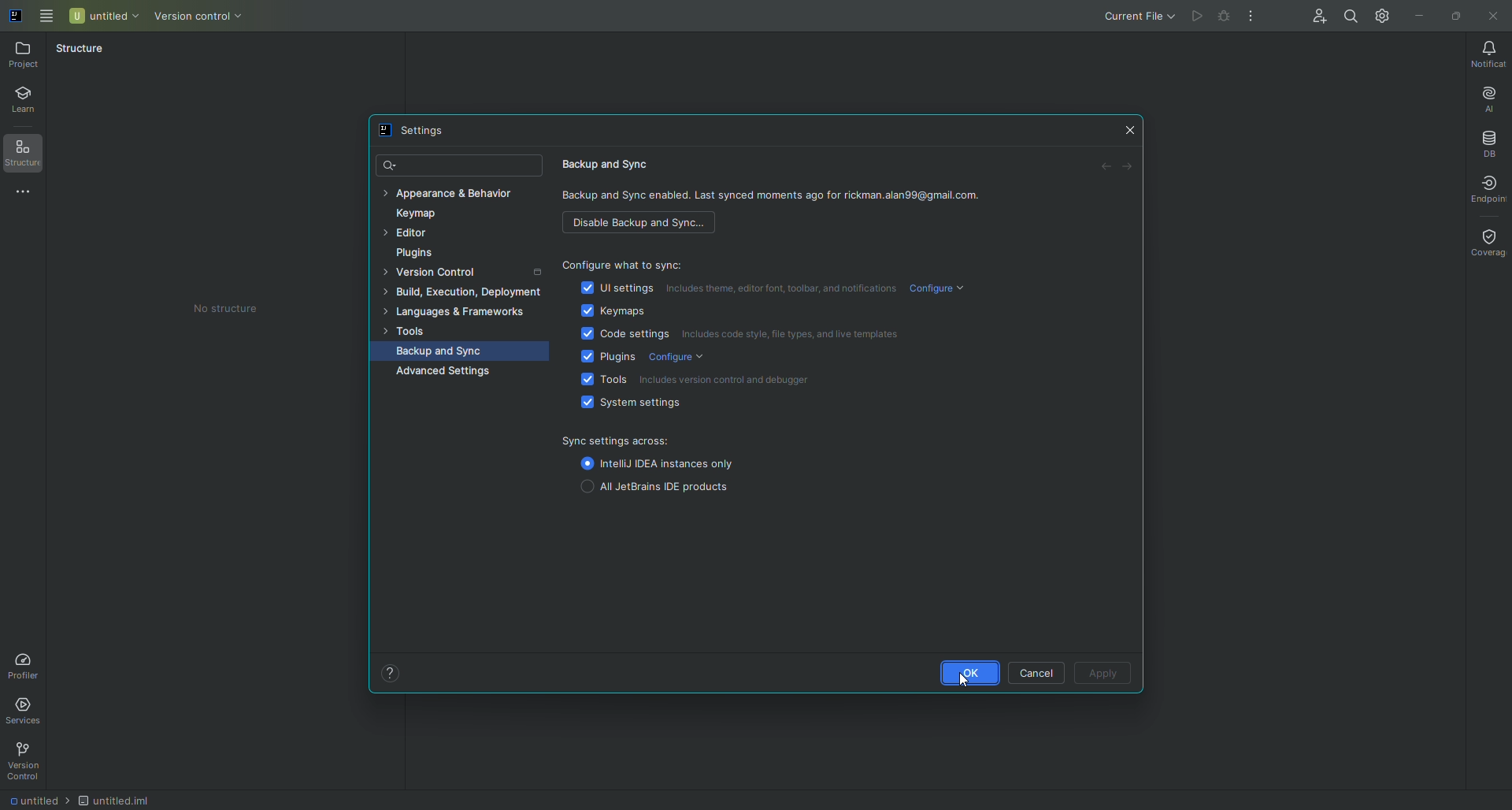 This screenshot has width=1512, height=810. What do you see at coordinates (35, 802) in the screenshot?
I see `Filename` at bounding box center [35, 802].